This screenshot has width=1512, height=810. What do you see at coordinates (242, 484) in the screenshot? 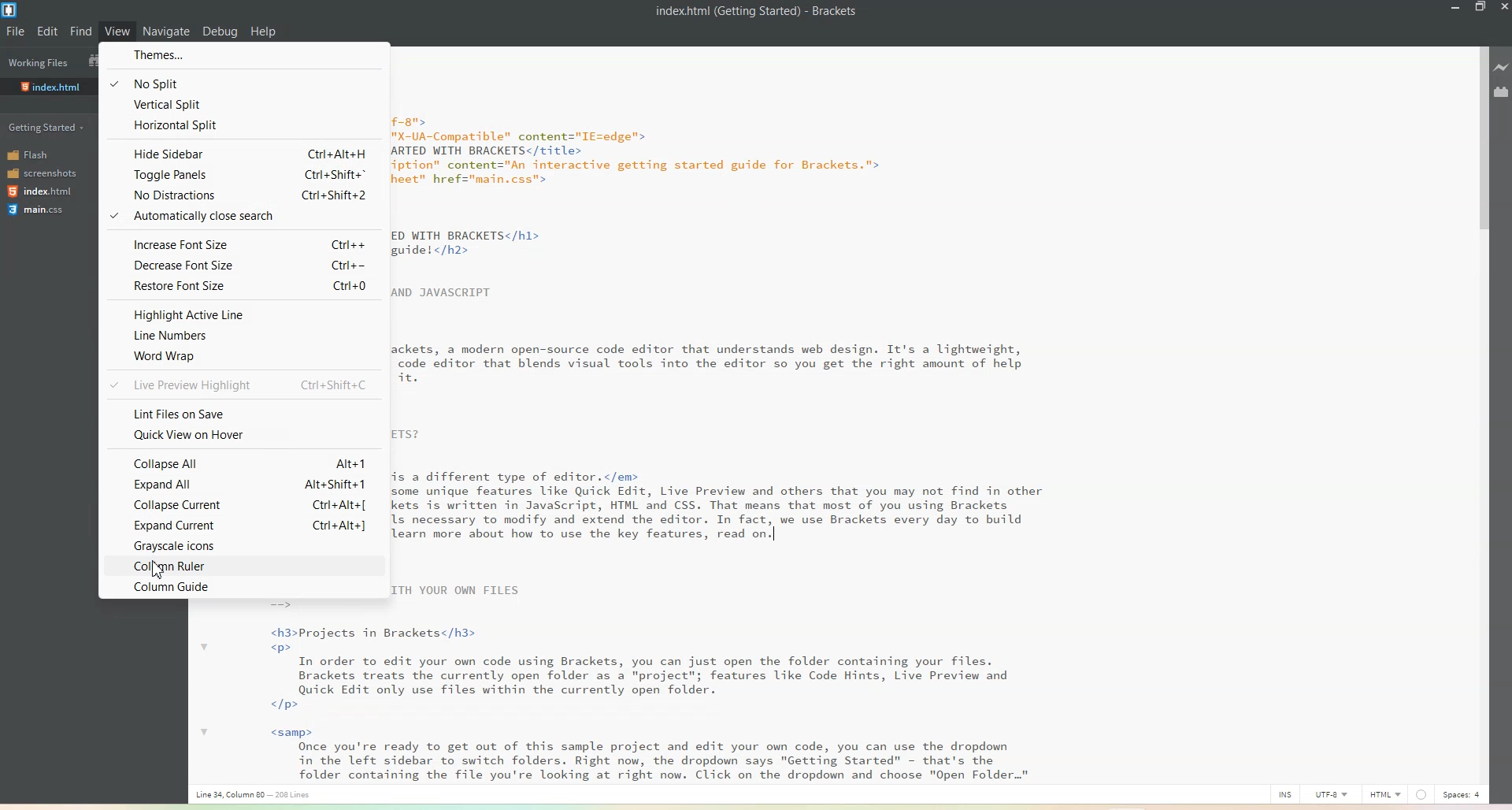
I see `Expand All` at bounding box center [242, 484].